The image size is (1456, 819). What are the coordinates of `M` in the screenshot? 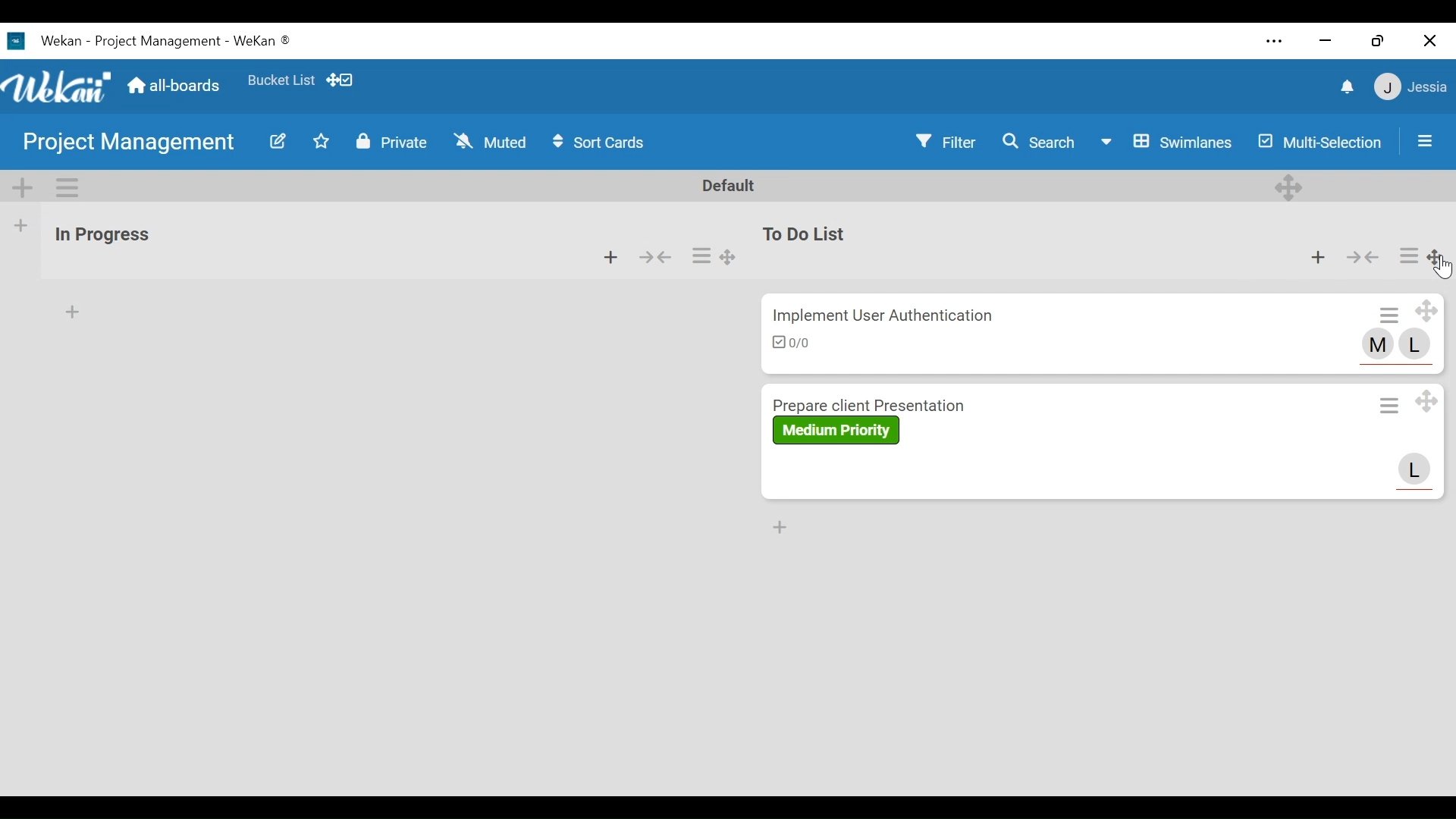 It's located at (1382, 347).